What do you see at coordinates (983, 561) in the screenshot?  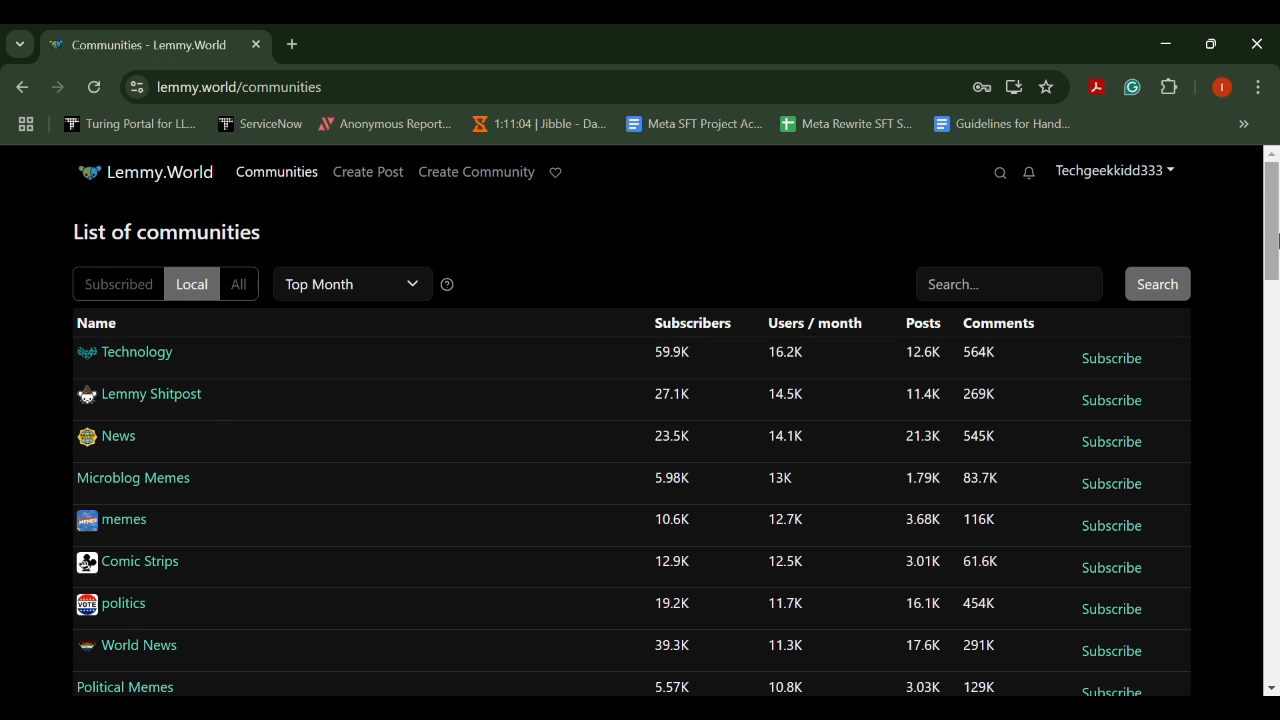 I see `61.6K` at bounding box center [983, 561].